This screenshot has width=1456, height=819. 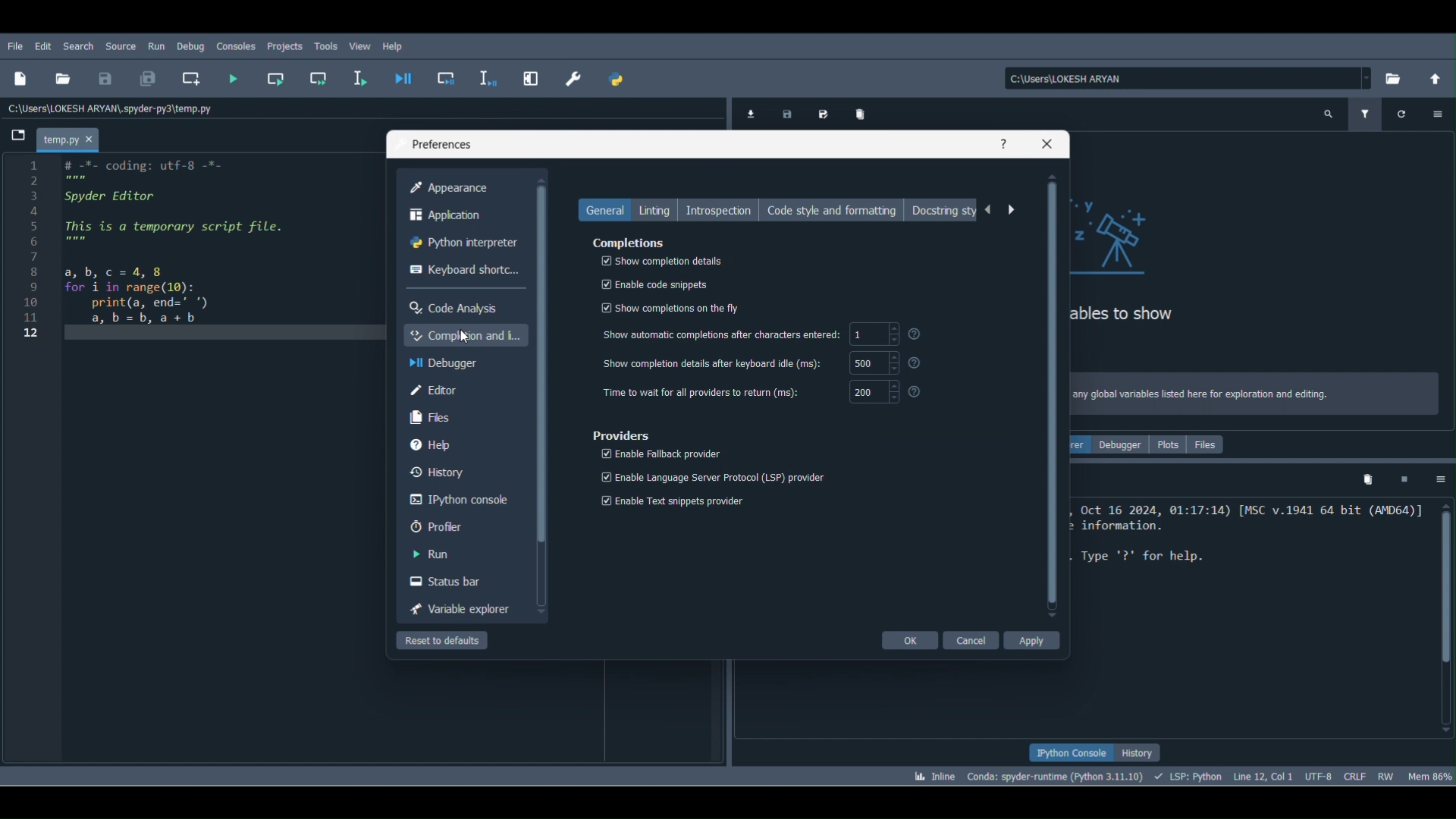 What do you see at coordinates (1435, 478) in the screenshot?
I see `Options` at bounding box center [1435, 478].